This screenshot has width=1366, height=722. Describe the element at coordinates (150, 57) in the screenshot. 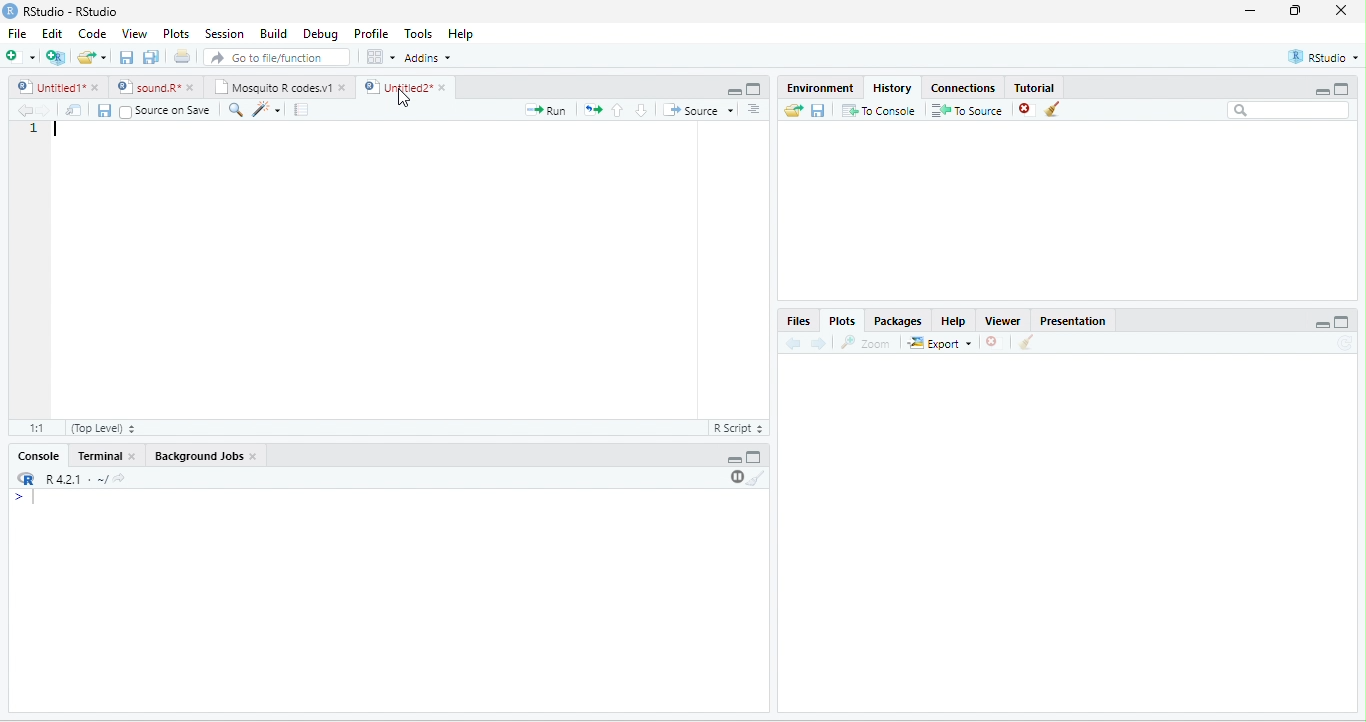

I see `save all` at that location.